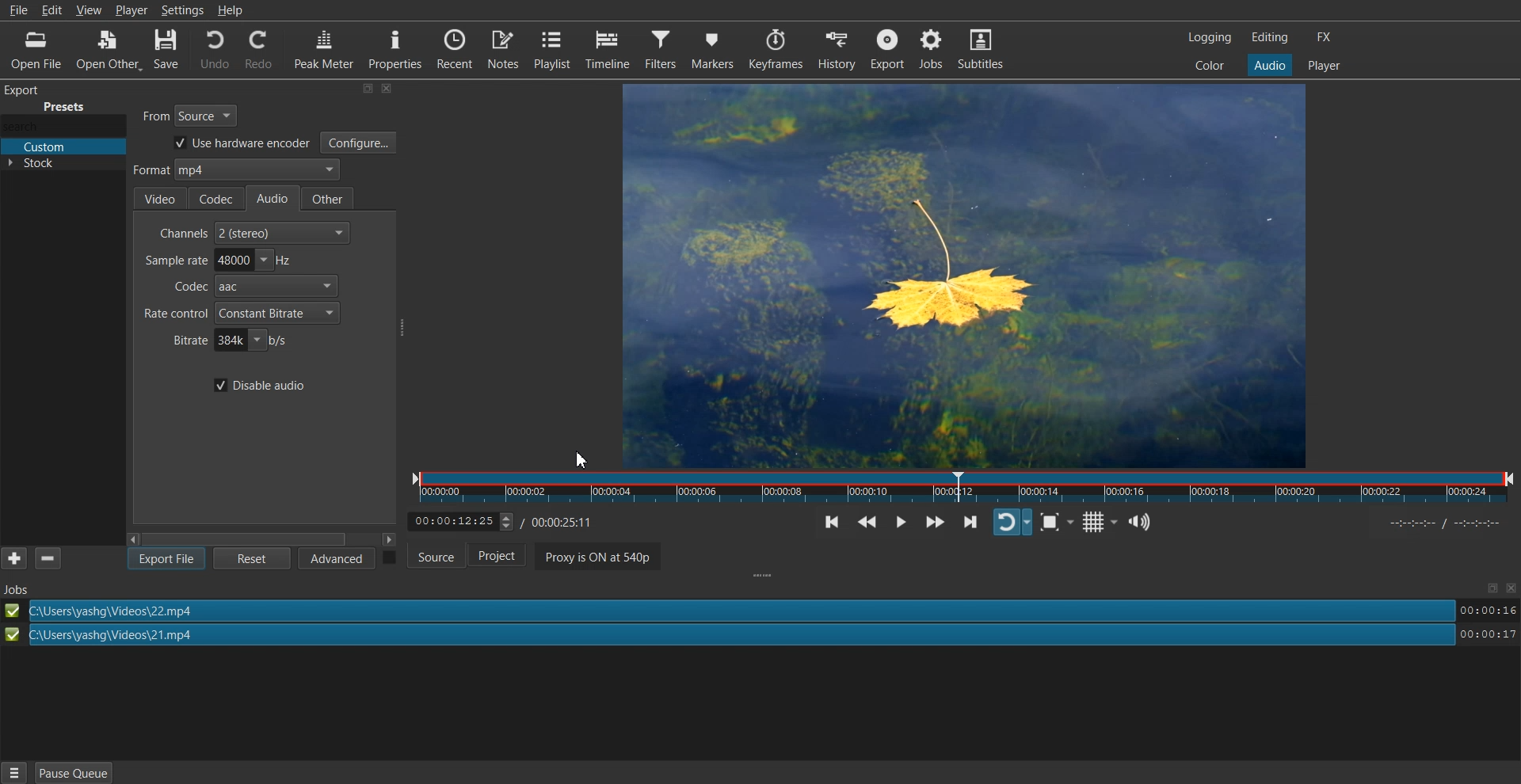 The width and height of the screenshot is (1521, 784). What do you see at coordinates (714, 48) in the screenshot?
I see `Markers` at bounding box center [714, 48].